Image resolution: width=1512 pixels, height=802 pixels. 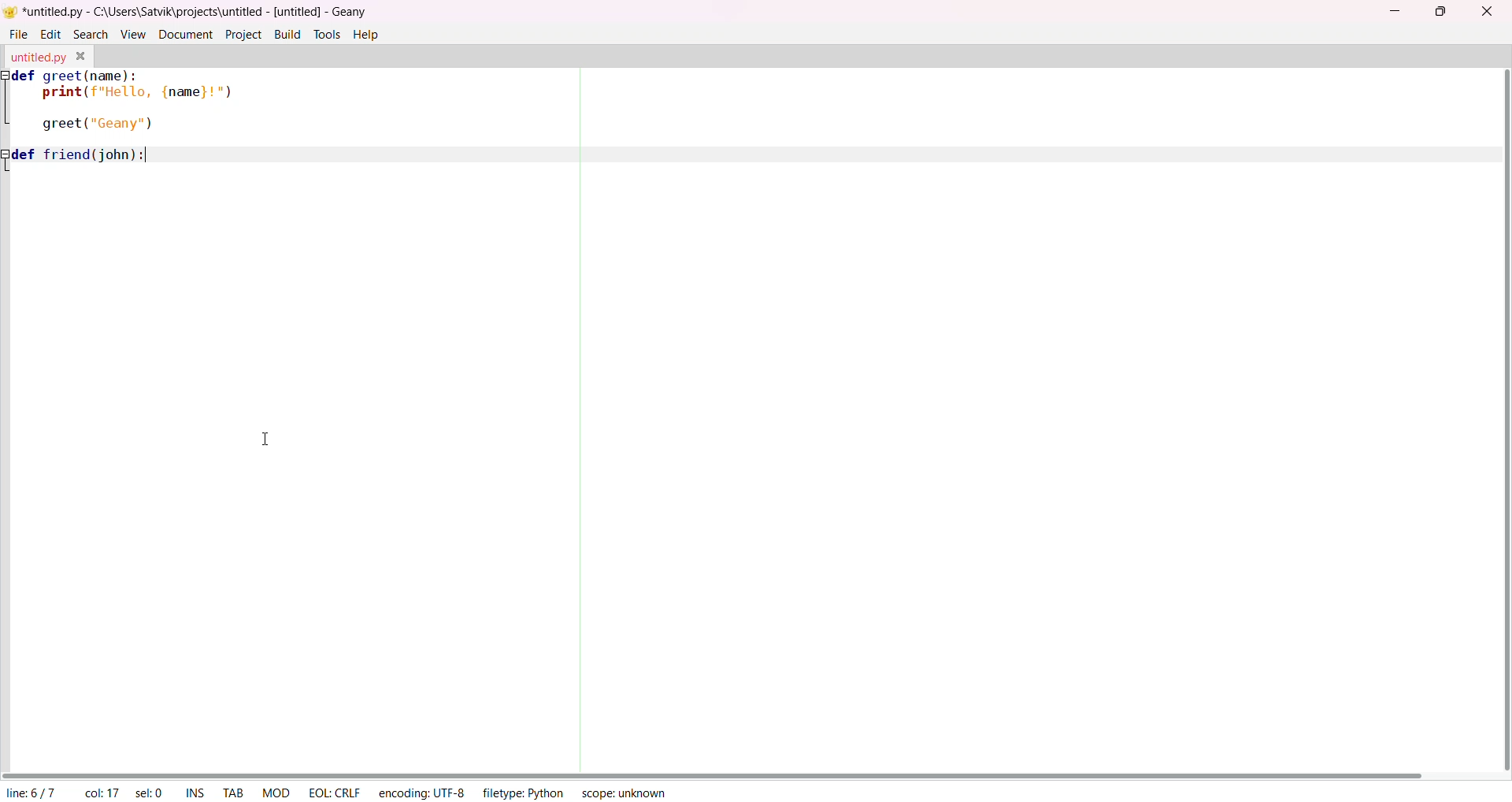 What do you see at coordinates (151, 793) in the screenshot?
I see `sel: 0` at bounding box center [151, 793].